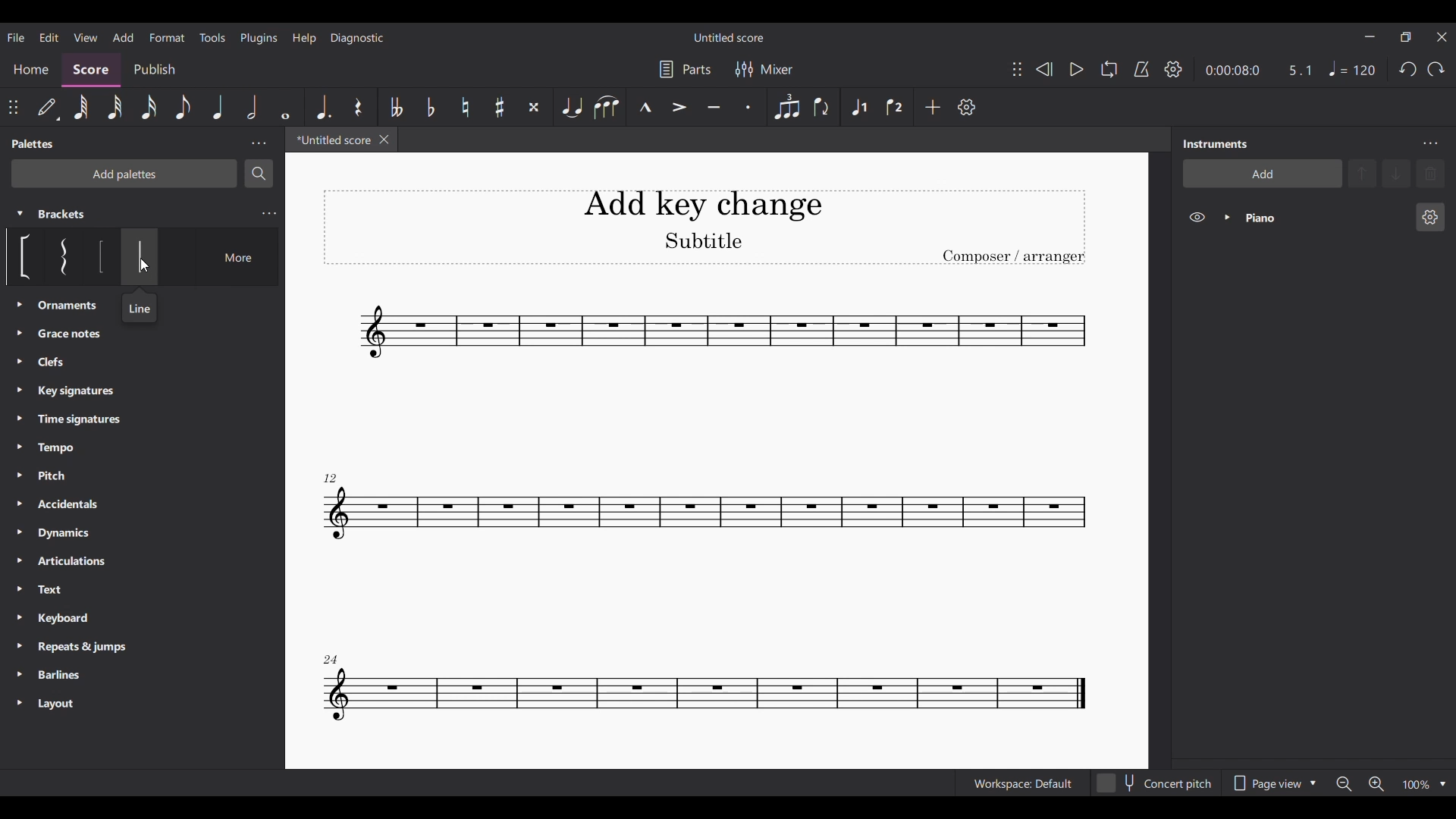  I want to click on Undo, so click(1408, 69).